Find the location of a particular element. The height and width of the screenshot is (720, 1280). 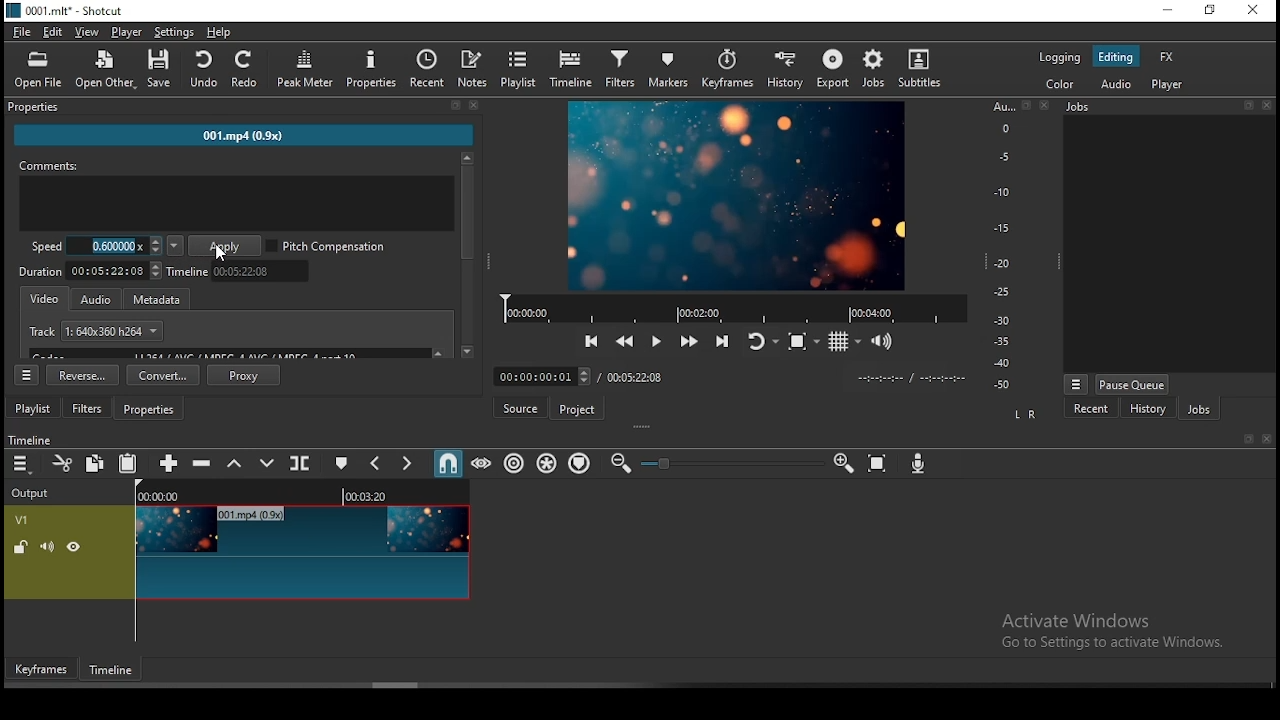

timeline settings is located at coordinates (26, 374).